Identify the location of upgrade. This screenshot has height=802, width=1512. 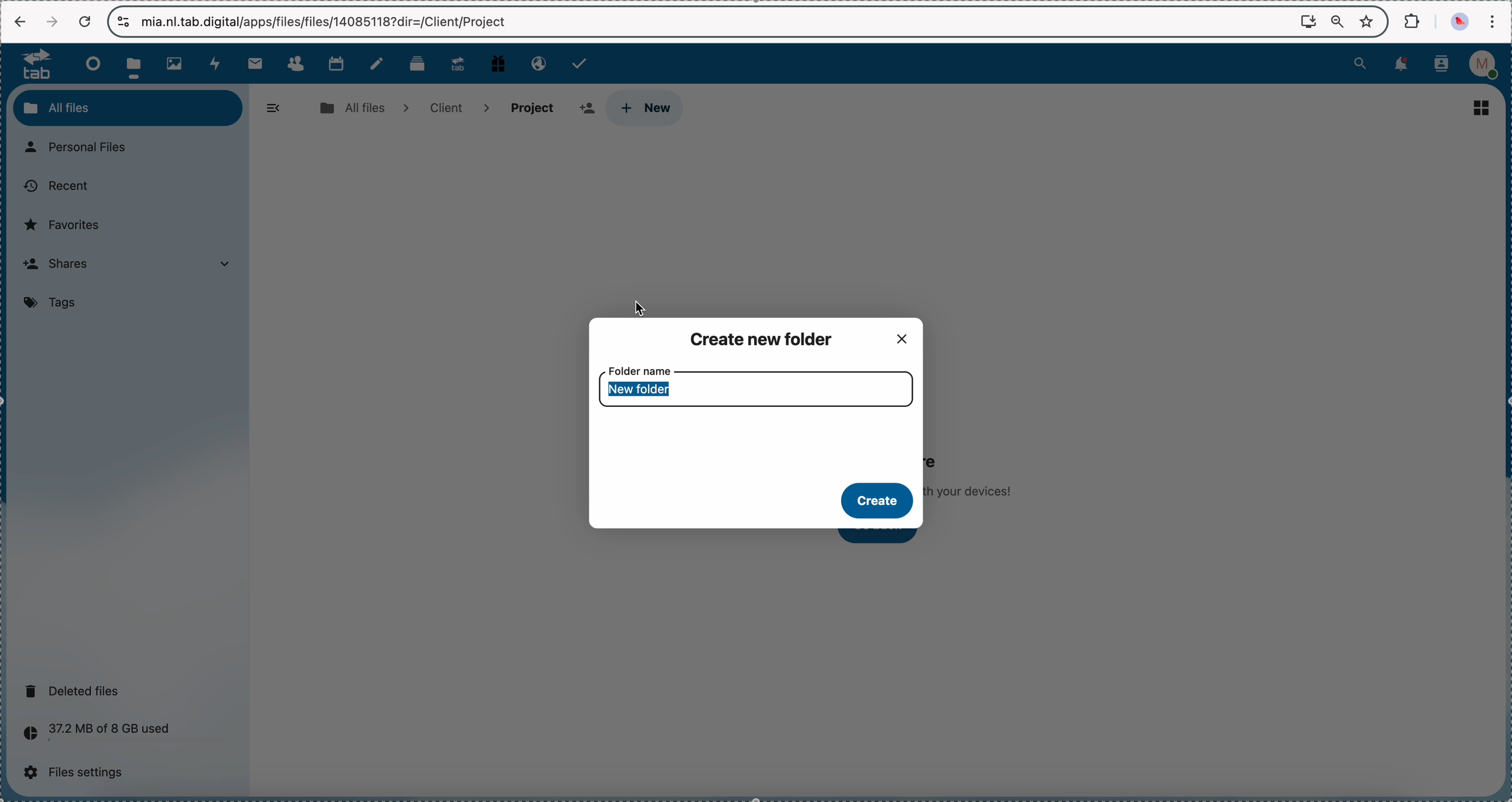
(458, 63).